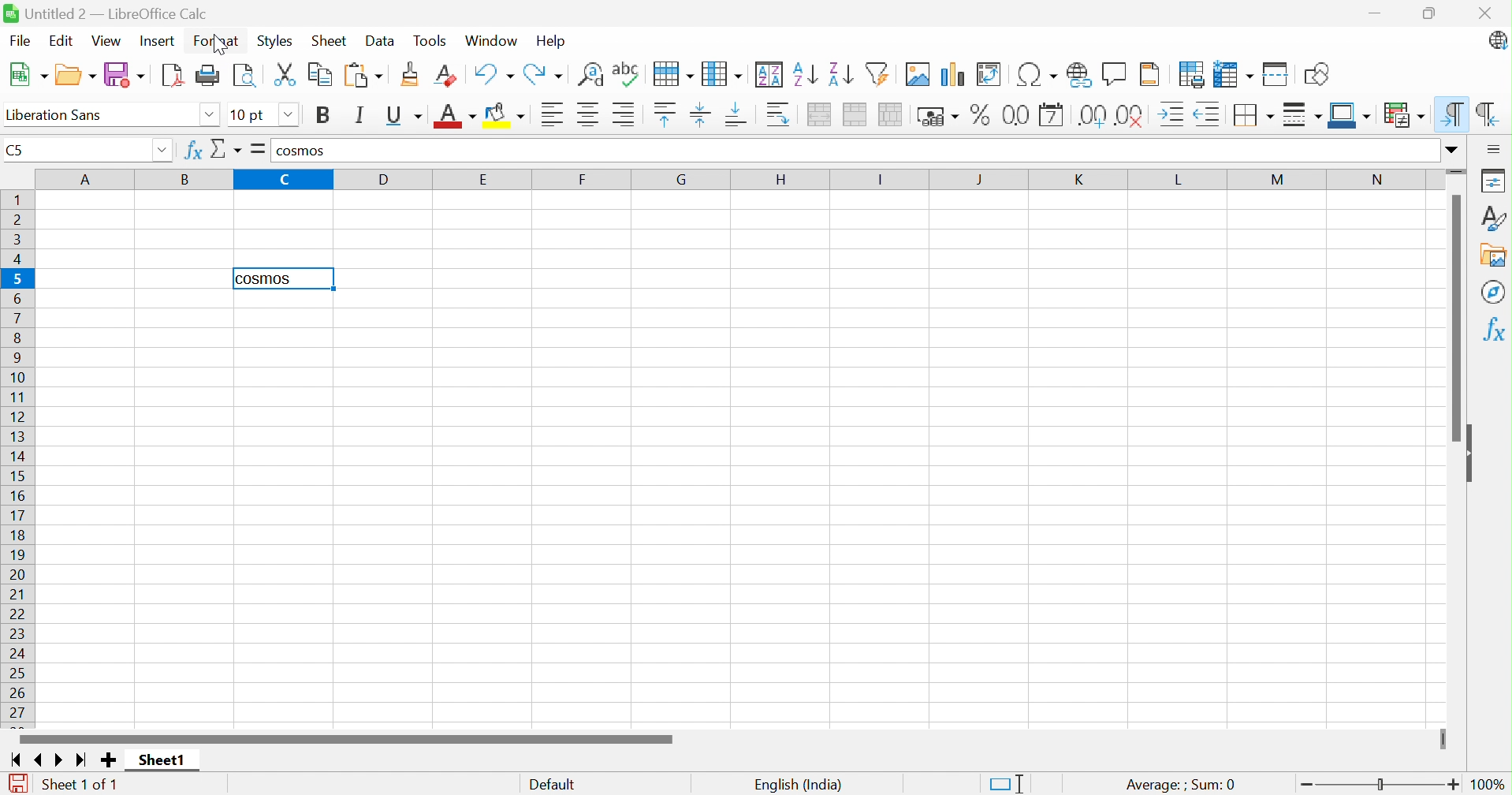 The height and width of the screenshot is (795, 1512). I want to click on Italic, so click(360, 116).